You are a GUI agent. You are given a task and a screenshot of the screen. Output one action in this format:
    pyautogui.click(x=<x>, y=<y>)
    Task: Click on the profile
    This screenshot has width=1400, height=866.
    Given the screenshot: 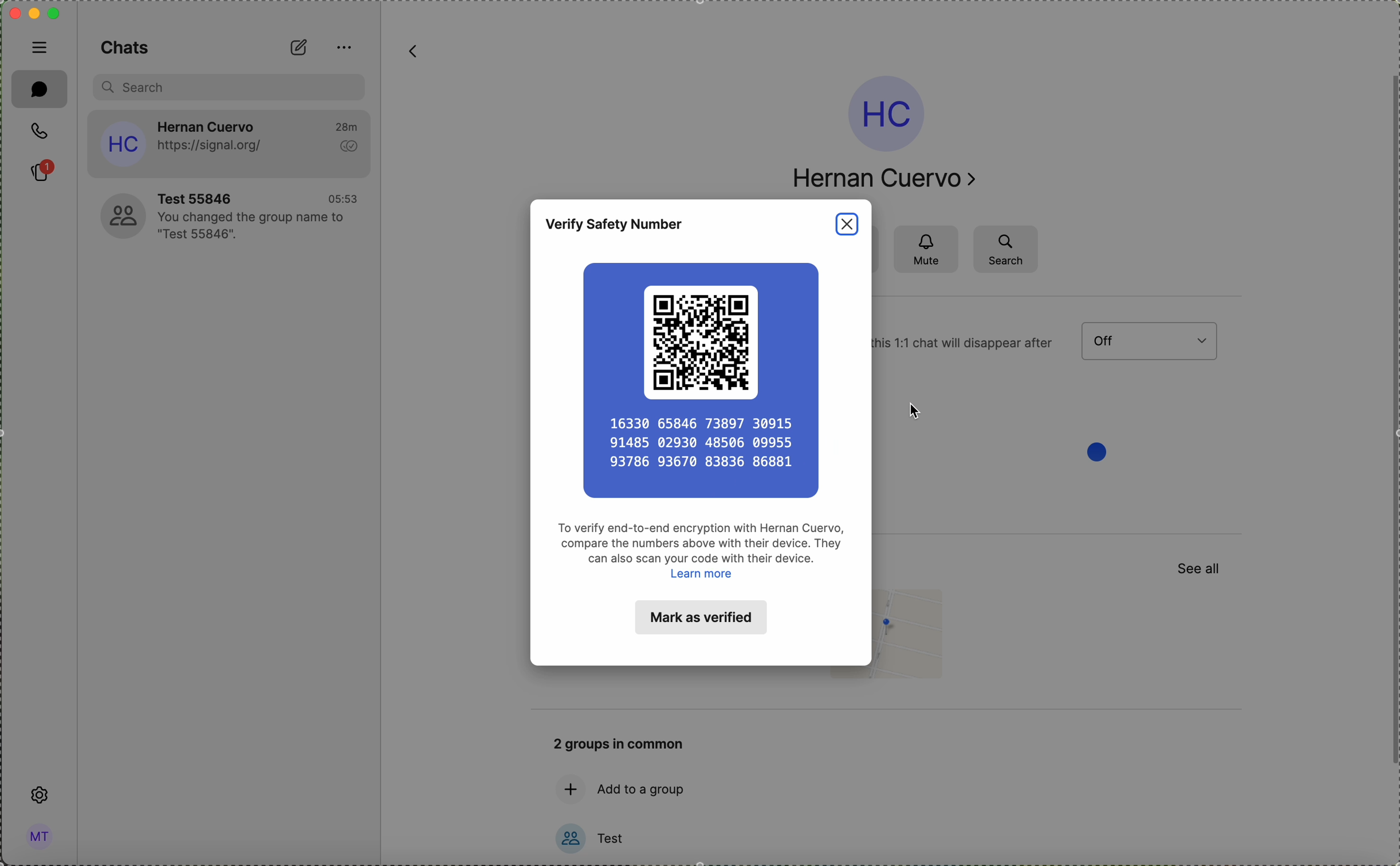 What is the action you would take?
    pyautogui.click(x=40, y=836)
    